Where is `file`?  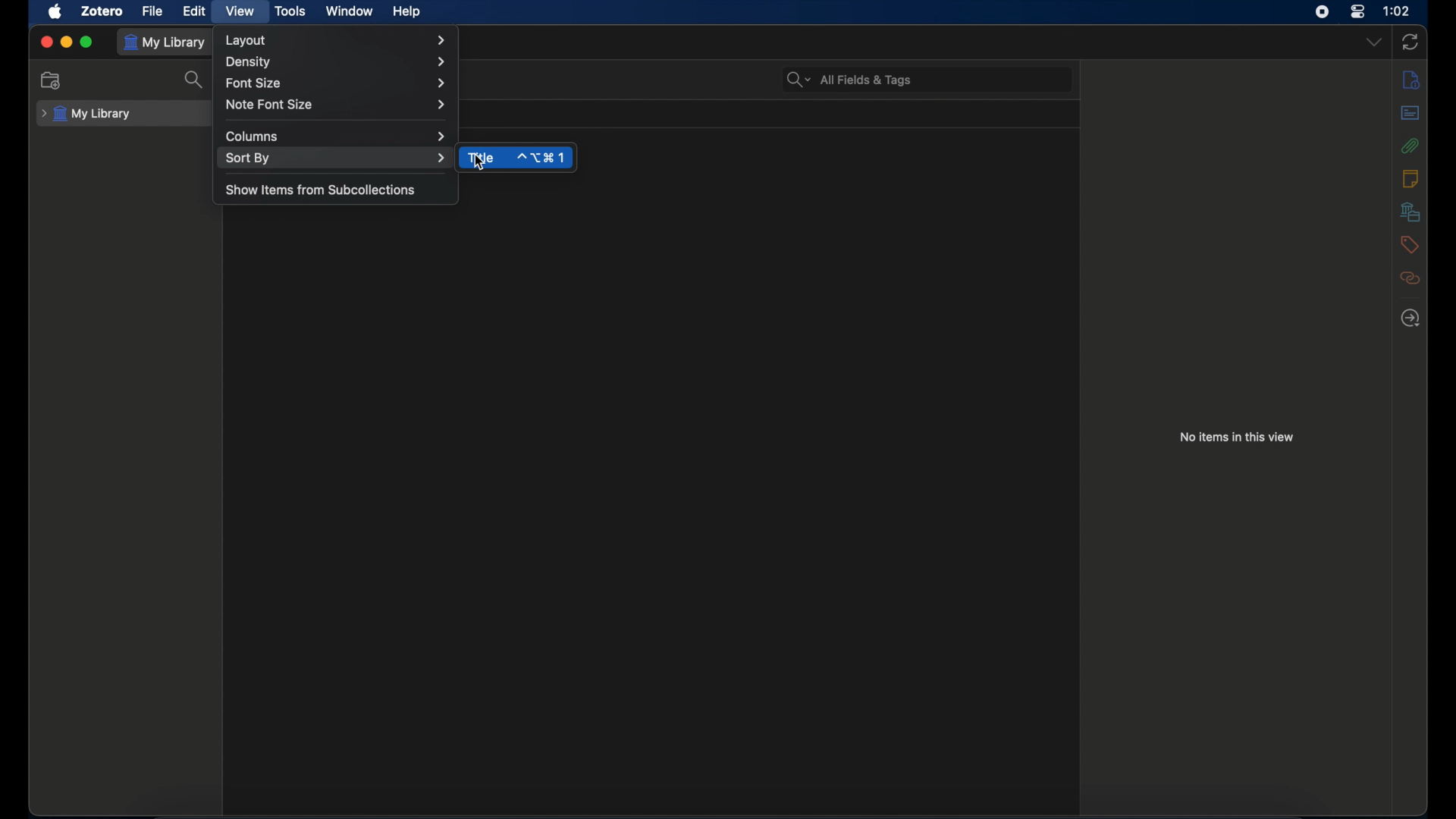
file is located at coordinates (151, 10).